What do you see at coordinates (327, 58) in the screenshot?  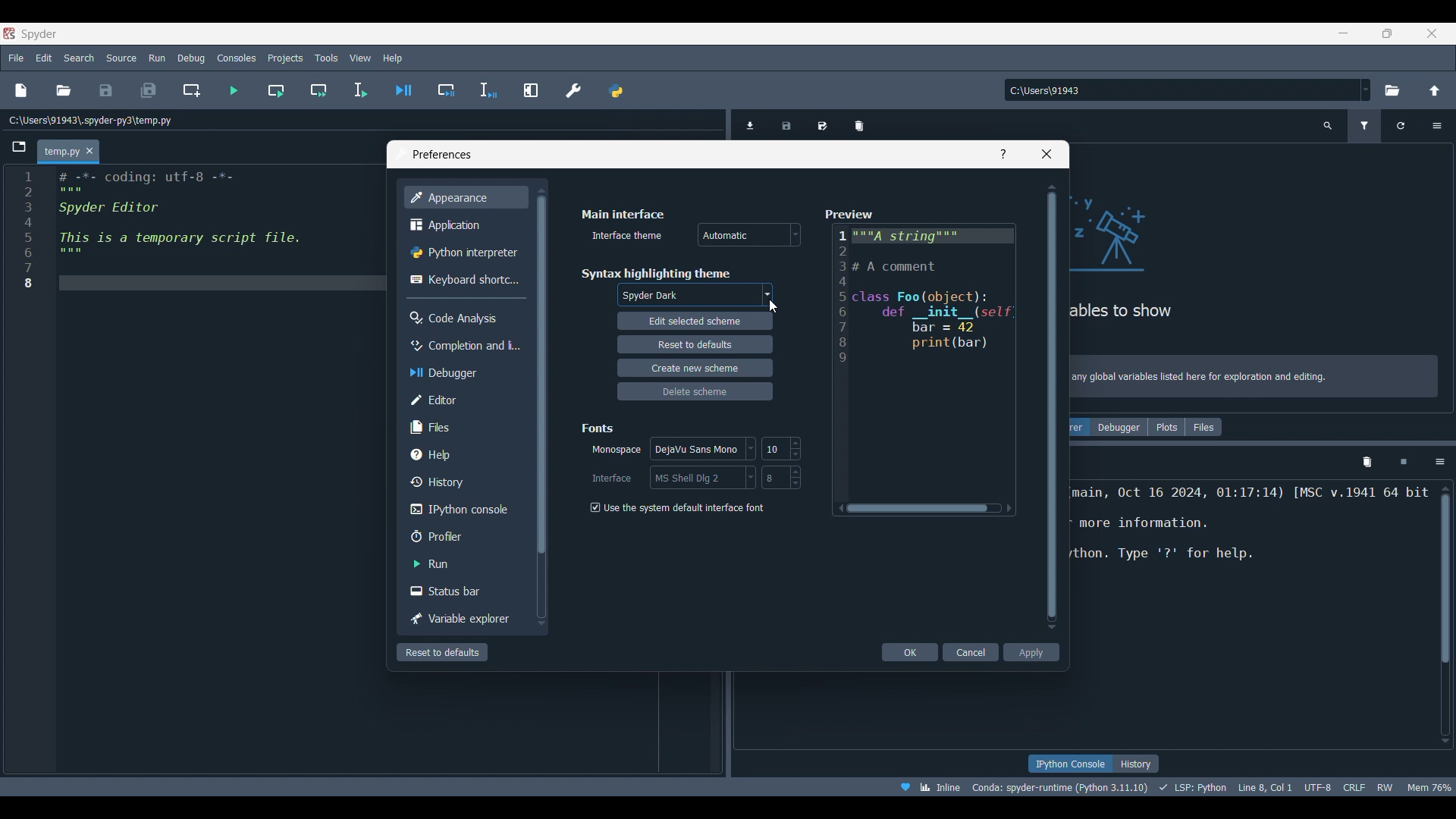 I see `Tools menu` at bounding box center [327, 58].